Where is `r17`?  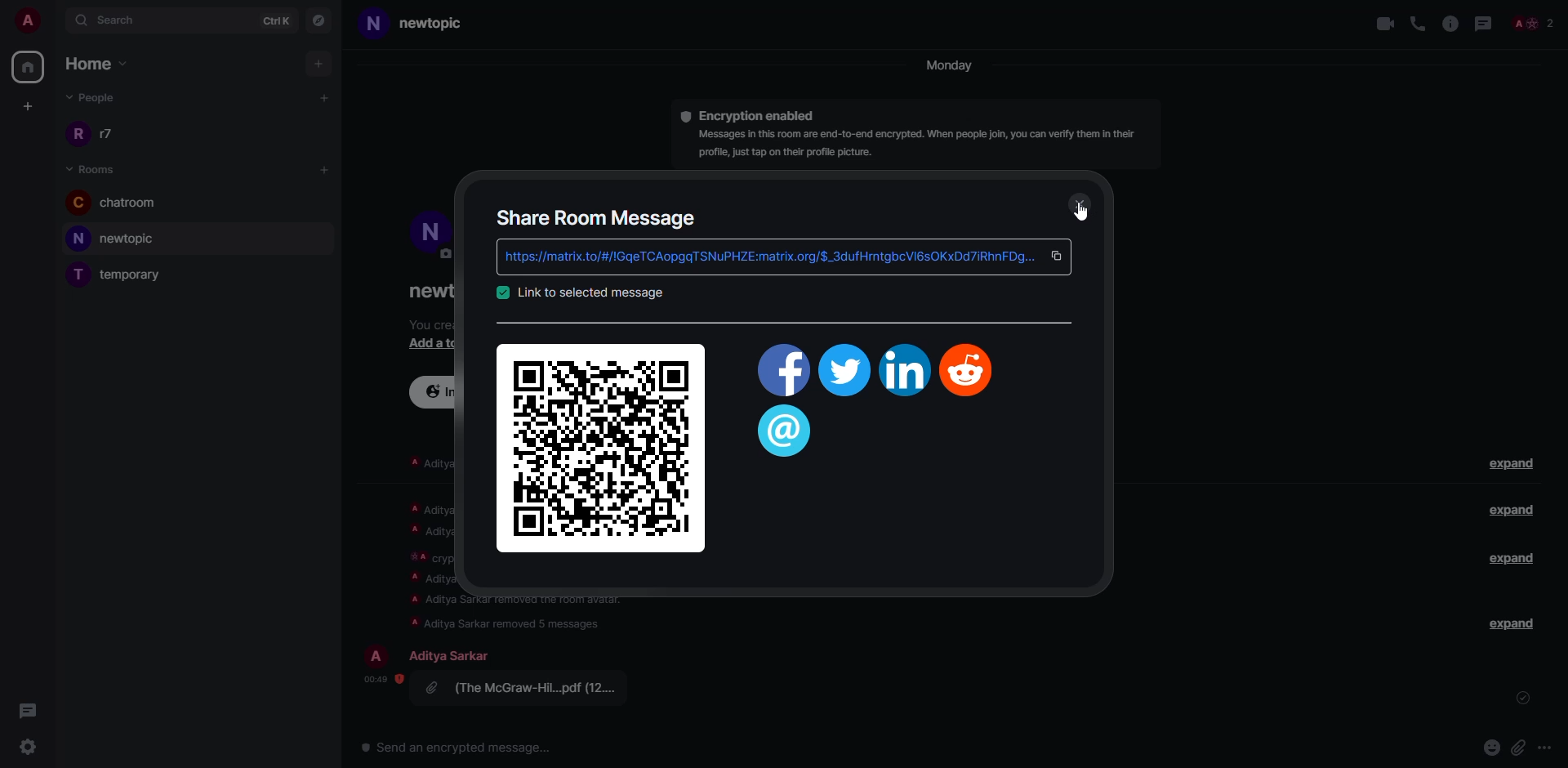
r17 is located at coordinates (93, 132).